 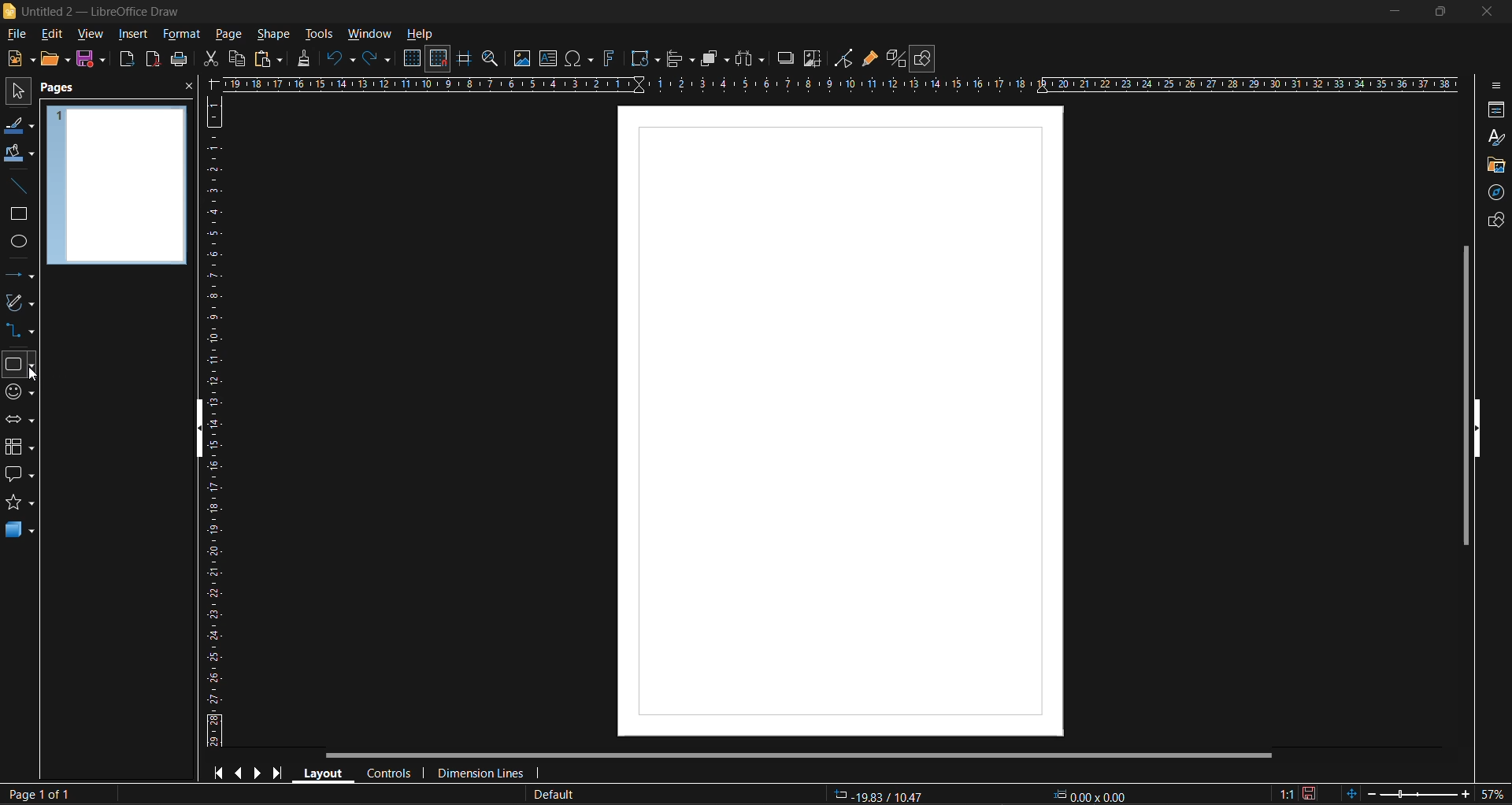 What do you see at coordinates (1492, 111) in the screenshot?
I see `properties` at bounding box center [1492, 111].